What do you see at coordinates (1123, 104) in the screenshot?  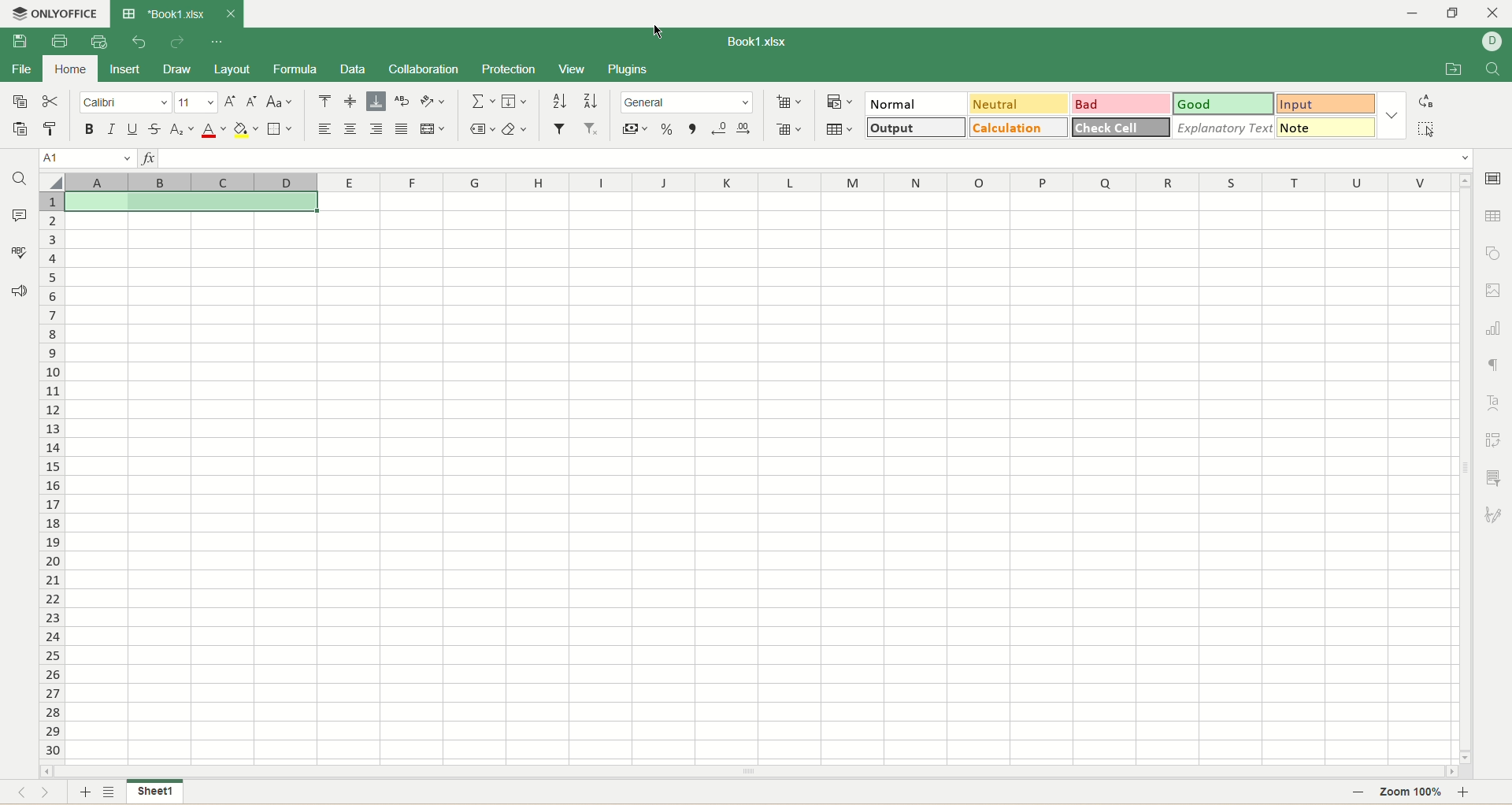 I see `bad` at bounding box center [1123, 104].